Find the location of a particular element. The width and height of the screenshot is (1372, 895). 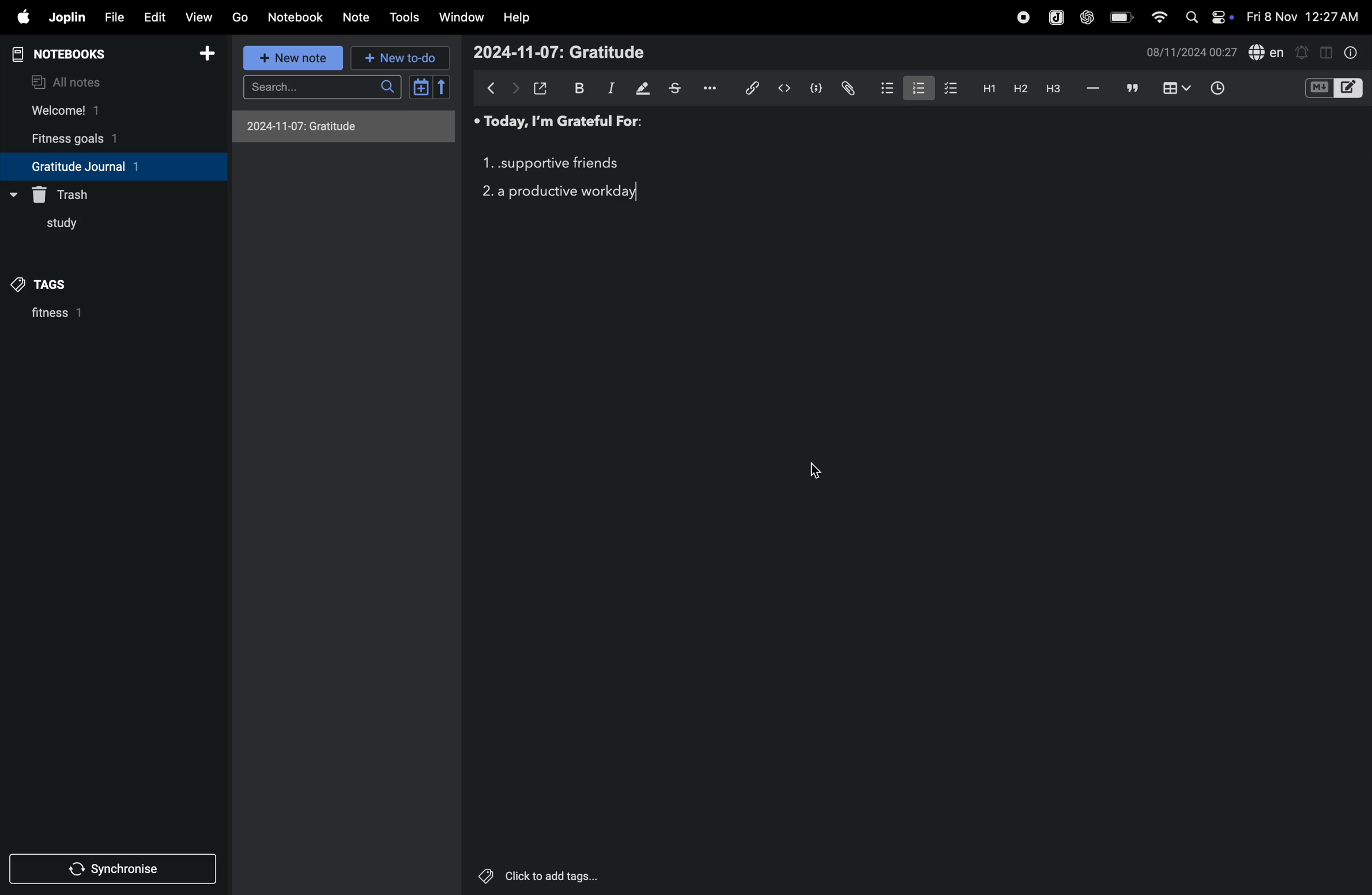

spell check is located at coordinates (1268, 51).